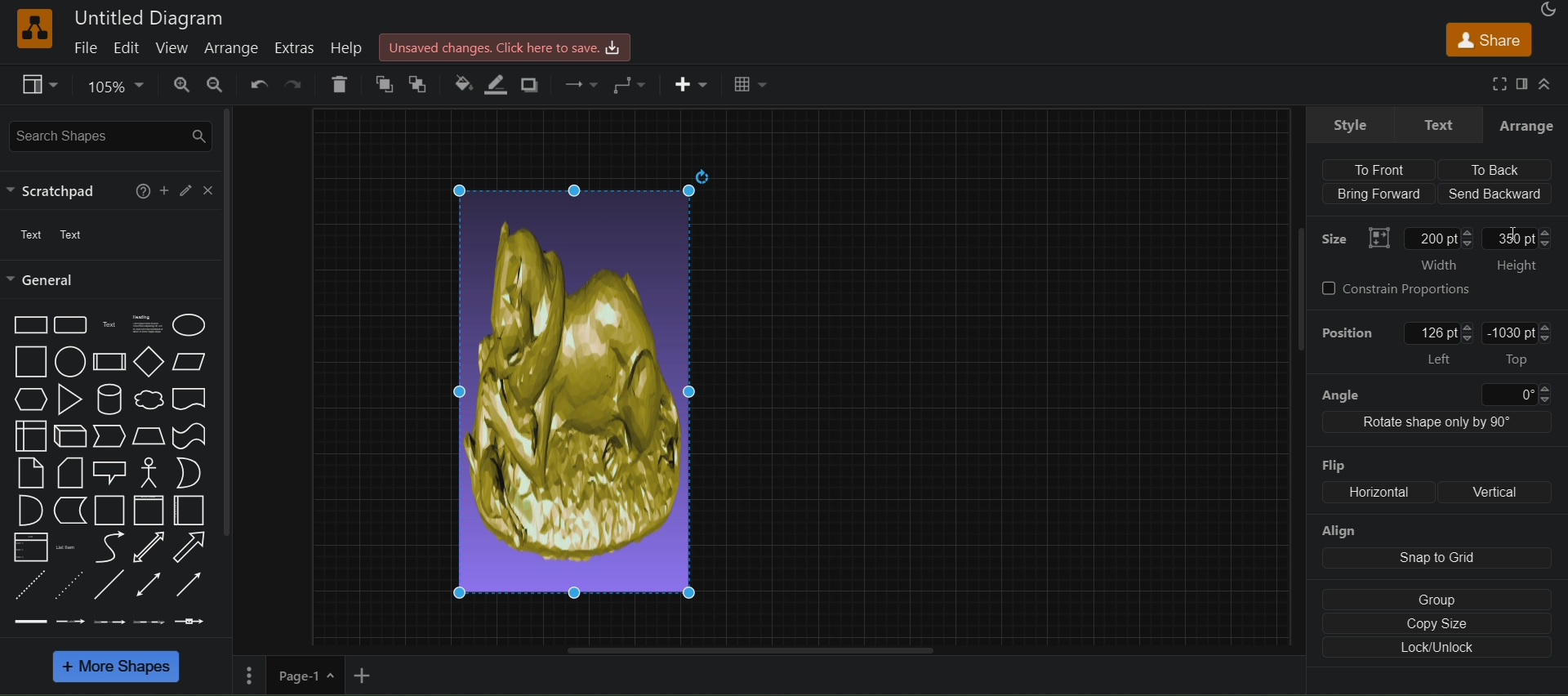 The height and width of the screenshot is (696, 1568). What do you see at coordinates (536, 84) in the screenshot?
I see `shadow` at bounding box center [536, 84].